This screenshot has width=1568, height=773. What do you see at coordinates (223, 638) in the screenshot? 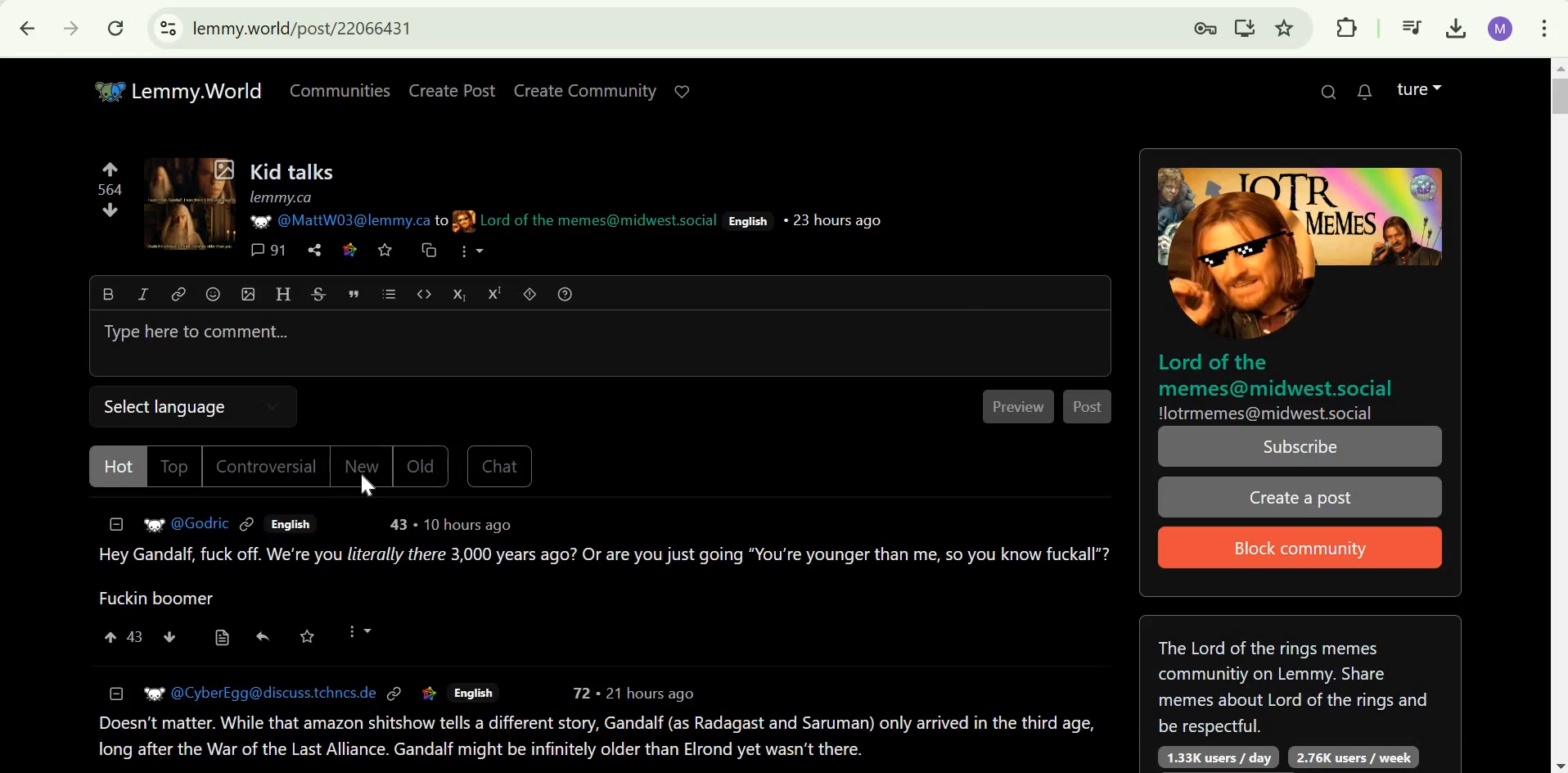
I see `view source` at bounding box center [223, 638].